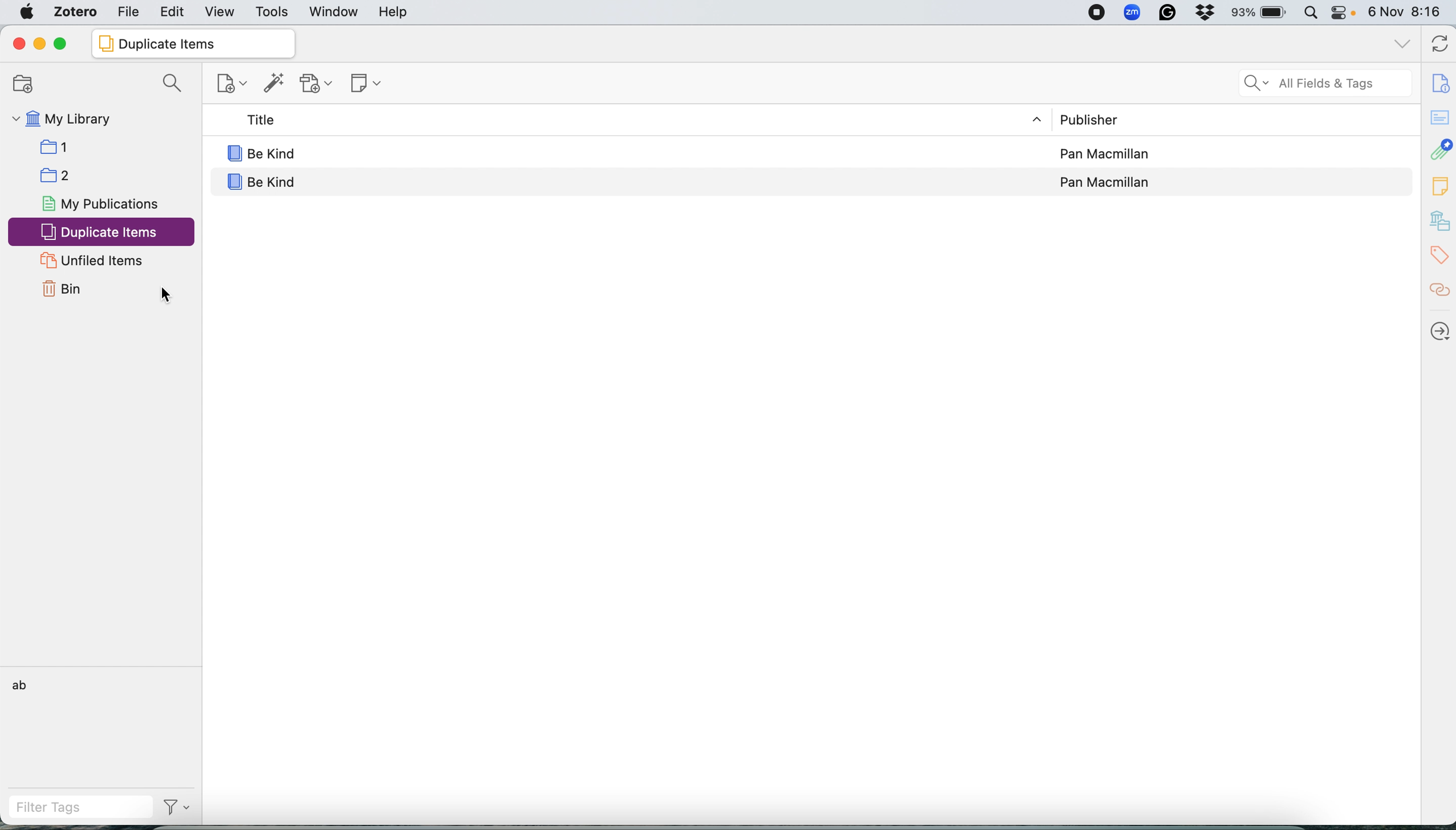  What do you see at coordinates (613, 121) in the screenshot?
I see `title` at bounding box center [613, 121].